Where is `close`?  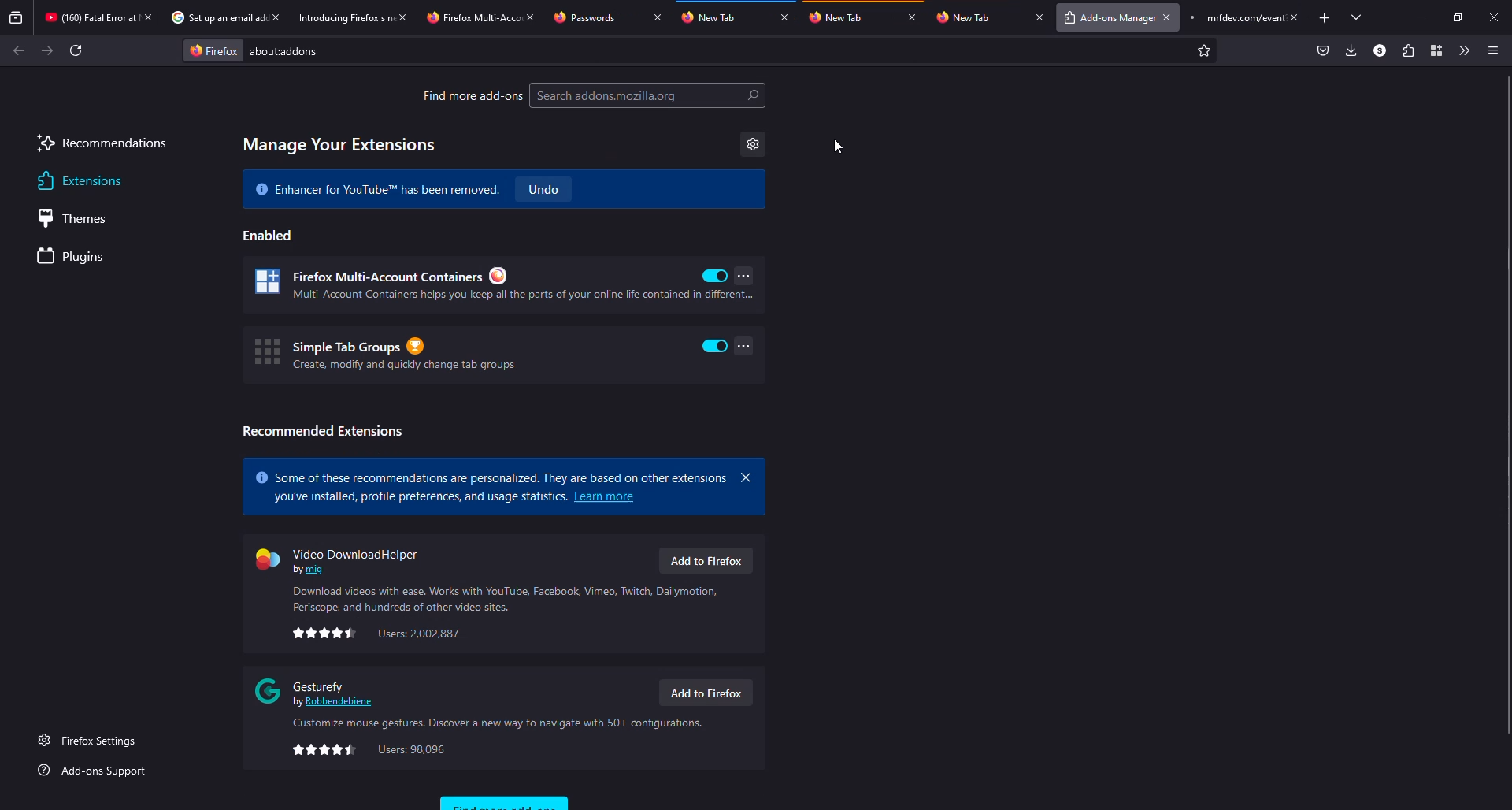
close is located at coordinates (1295, 17).